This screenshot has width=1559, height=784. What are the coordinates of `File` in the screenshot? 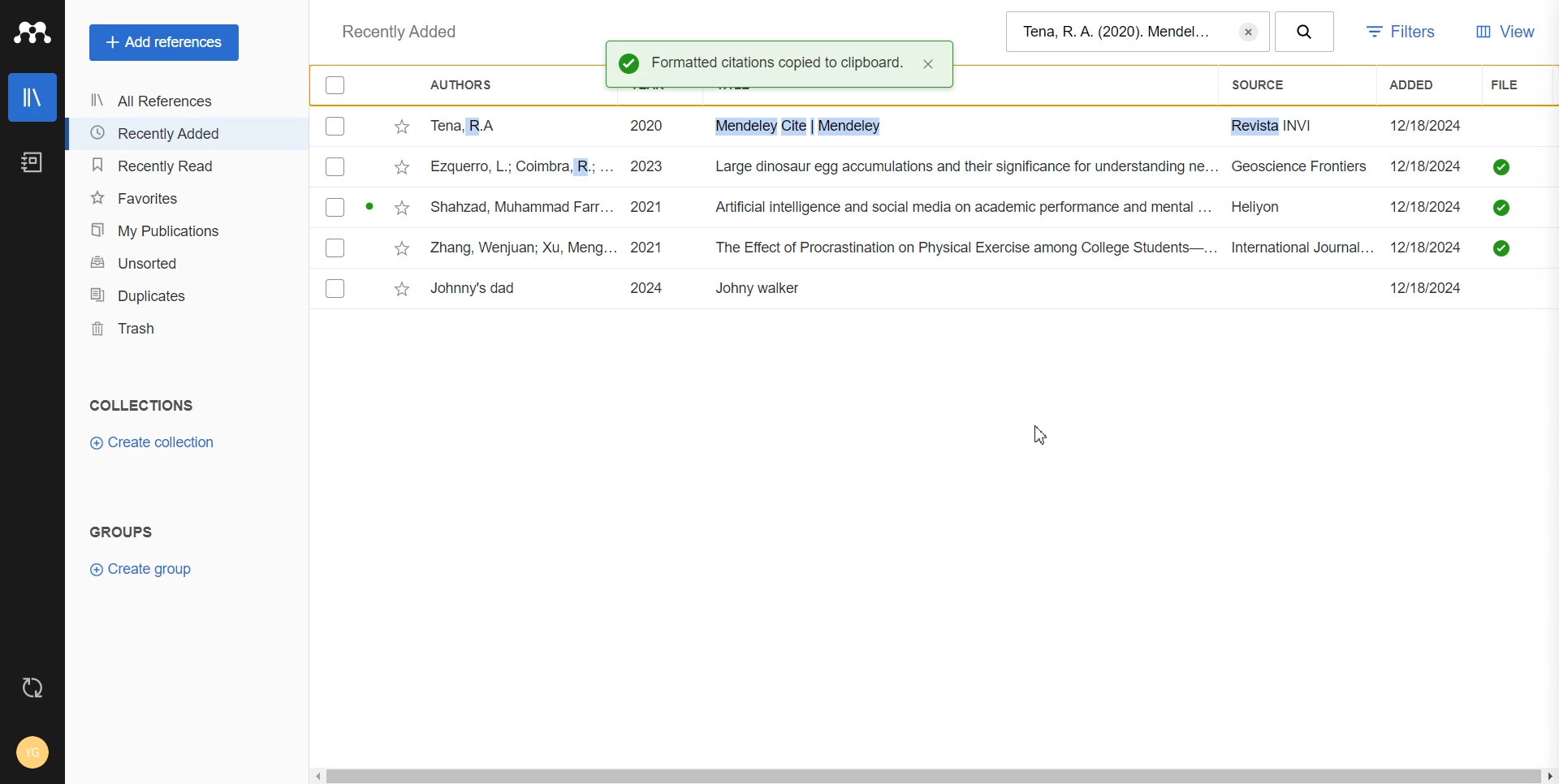 It's located at (1516, 84).